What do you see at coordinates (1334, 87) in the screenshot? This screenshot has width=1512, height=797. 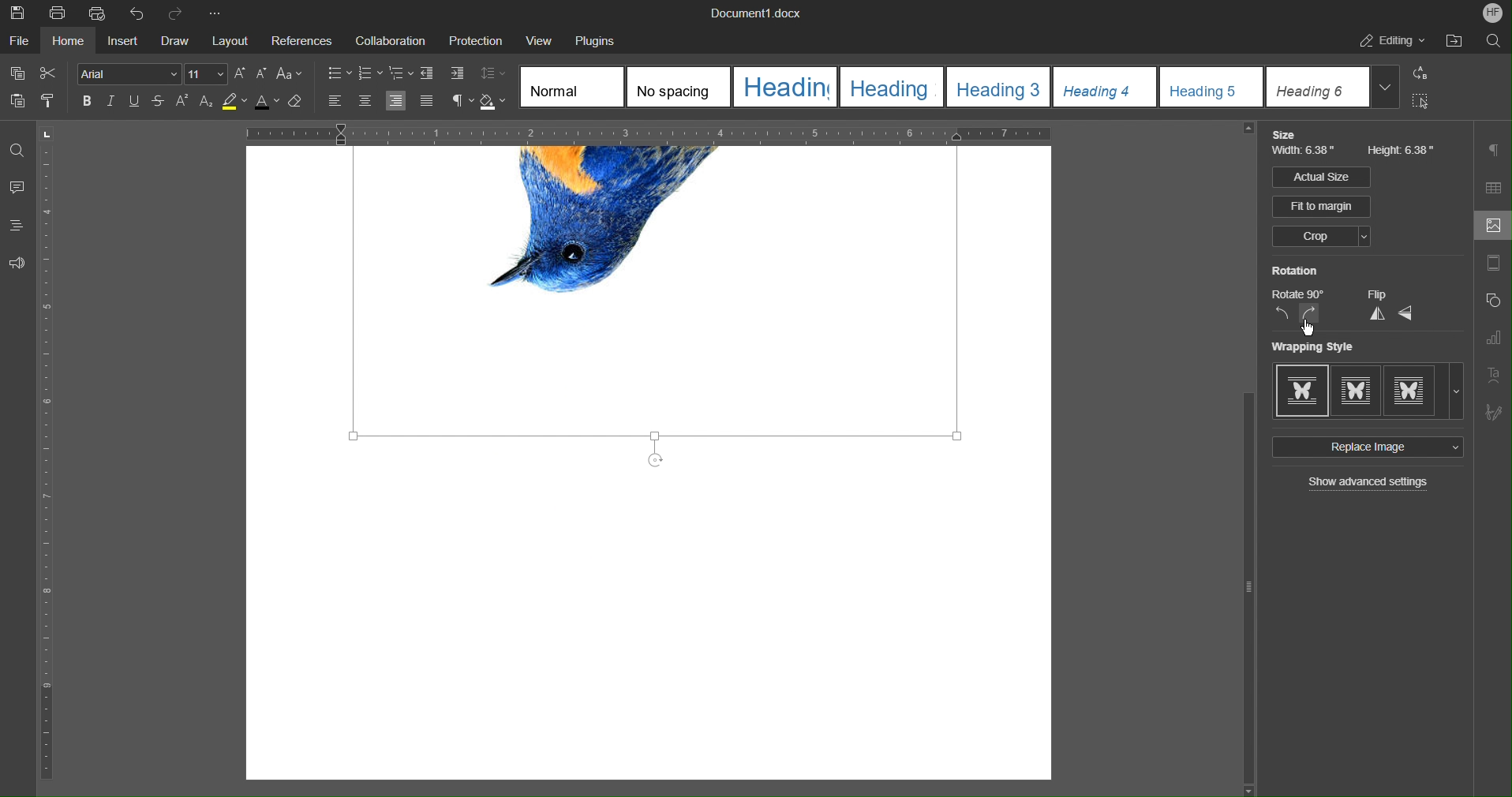 I see `Heading 6` at bounding box center [1334, 87].